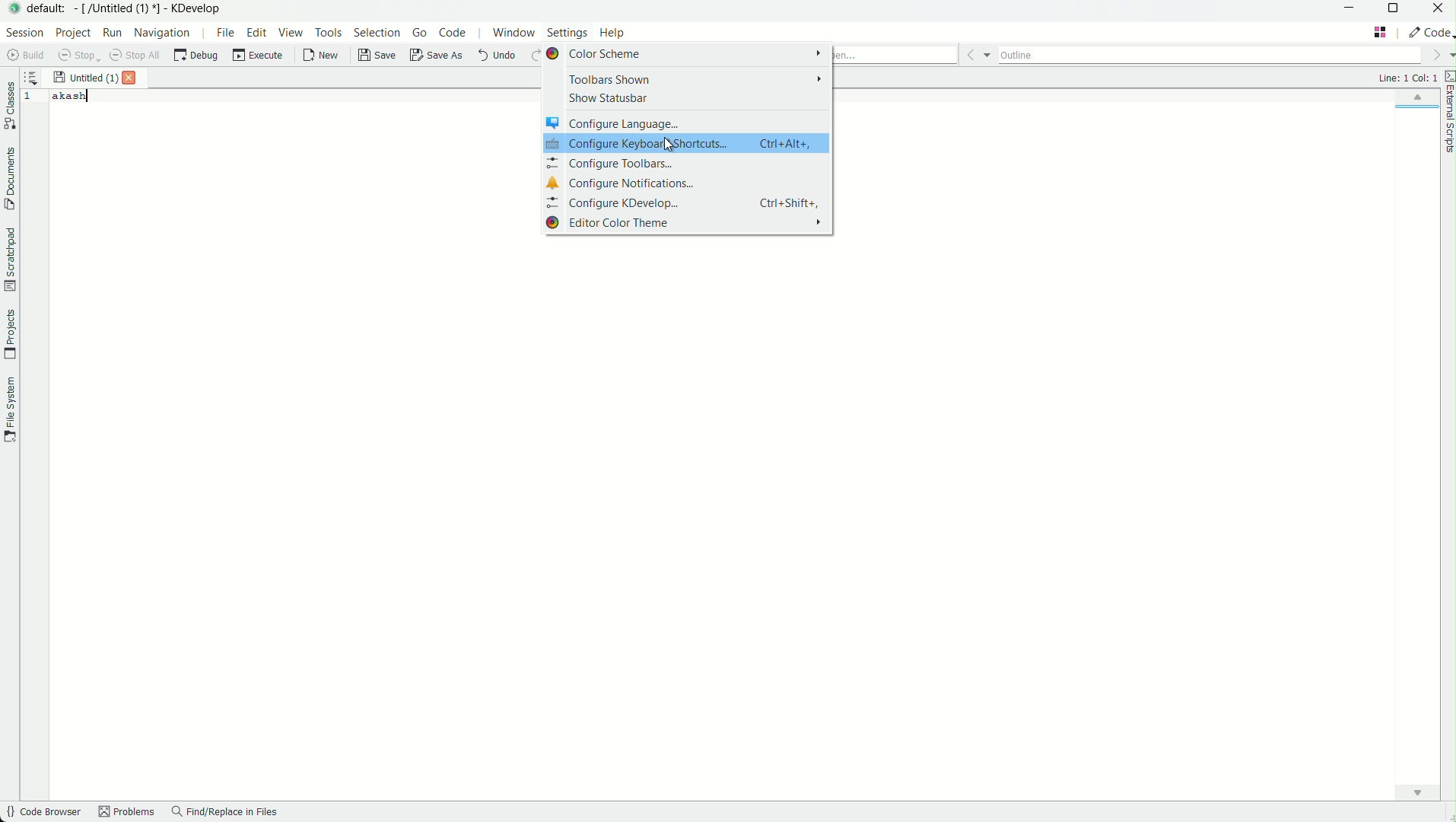 The height and width of the screenshot is (822, 1456). I want to click on save as, so click(437, 56).